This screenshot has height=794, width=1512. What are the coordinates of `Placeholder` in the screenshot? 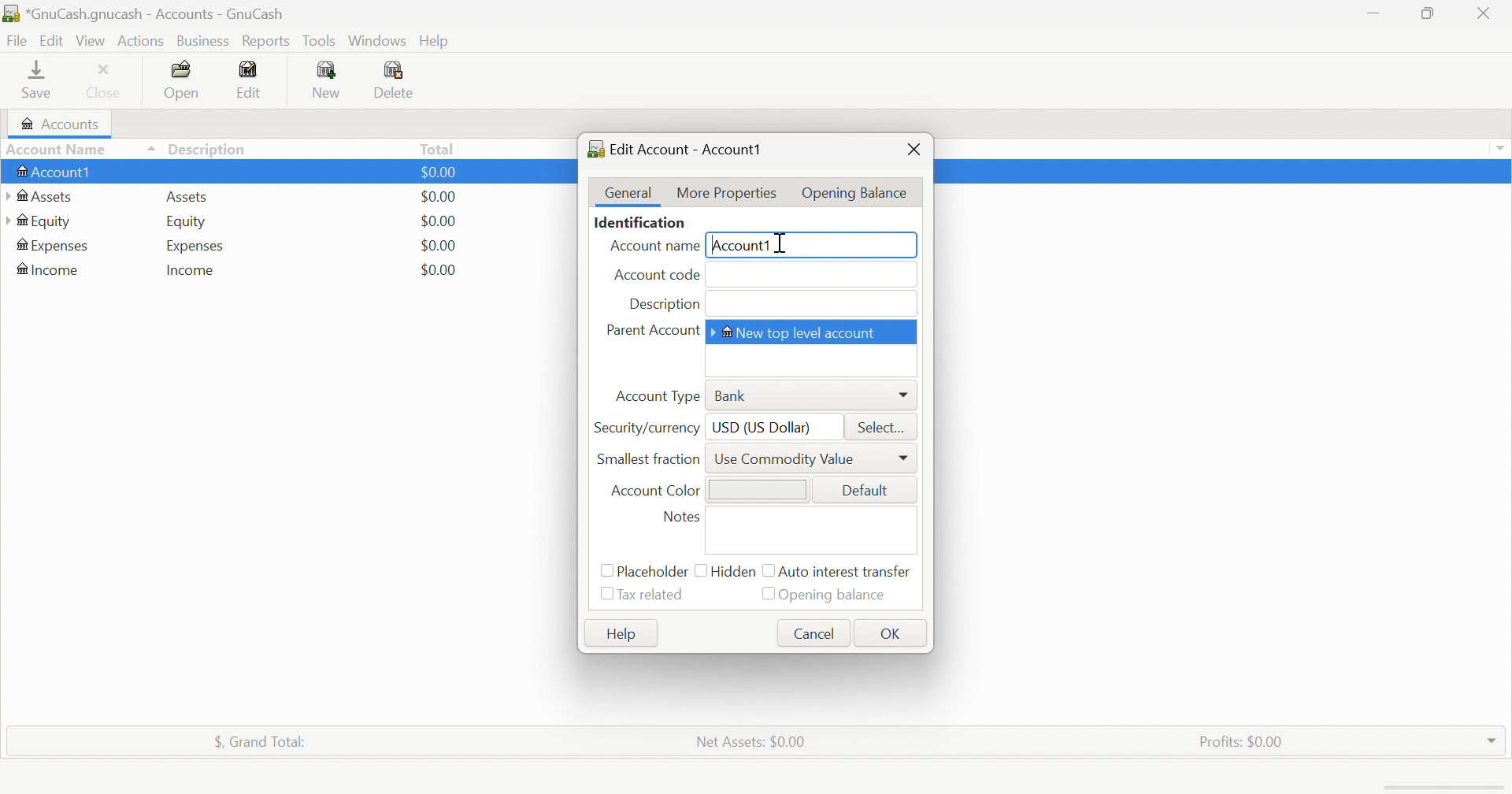 It's located at (644, 567).